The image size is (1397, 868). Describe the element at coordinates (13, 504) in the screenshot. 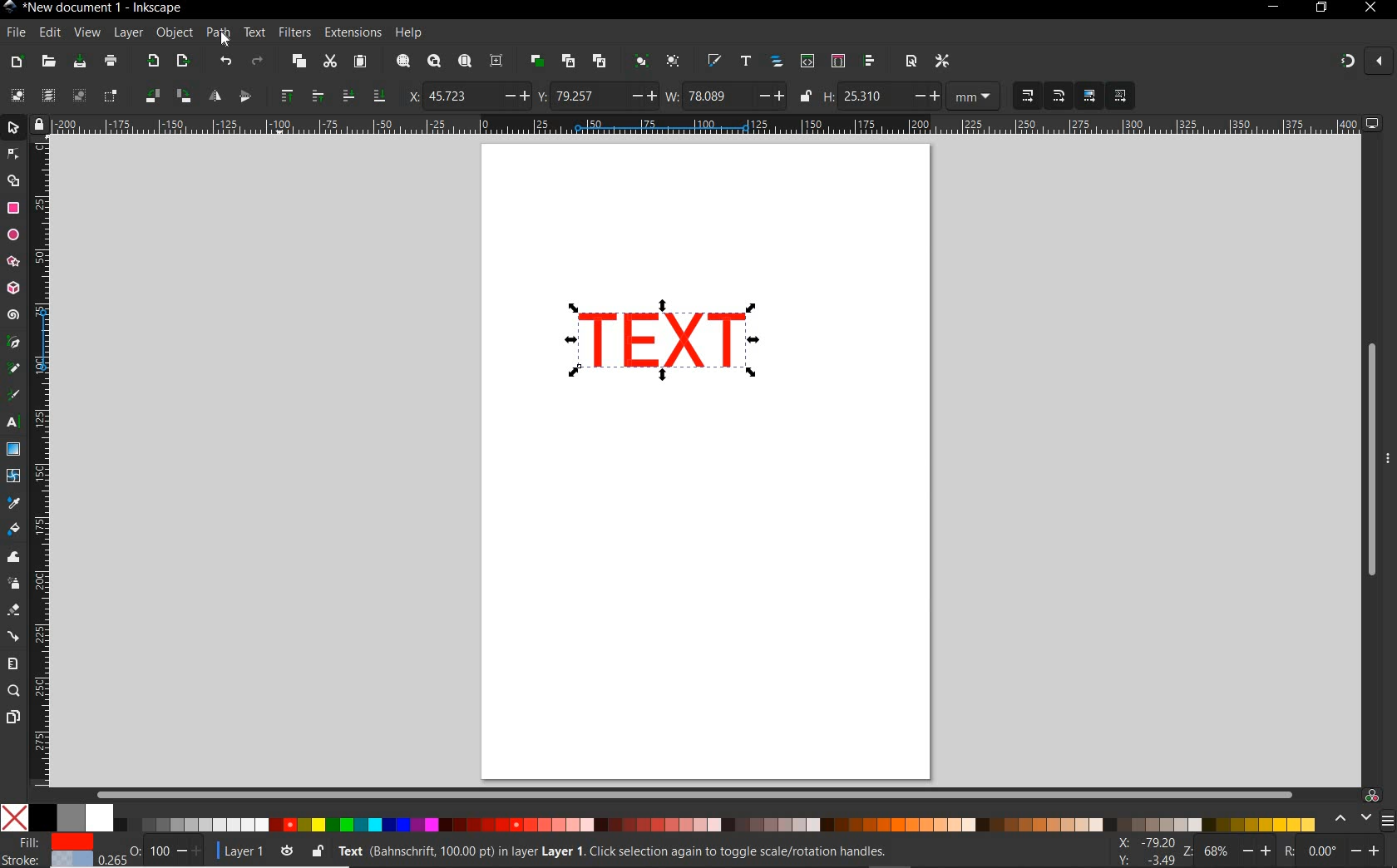

I see `DROPPER TOOL` at that location.